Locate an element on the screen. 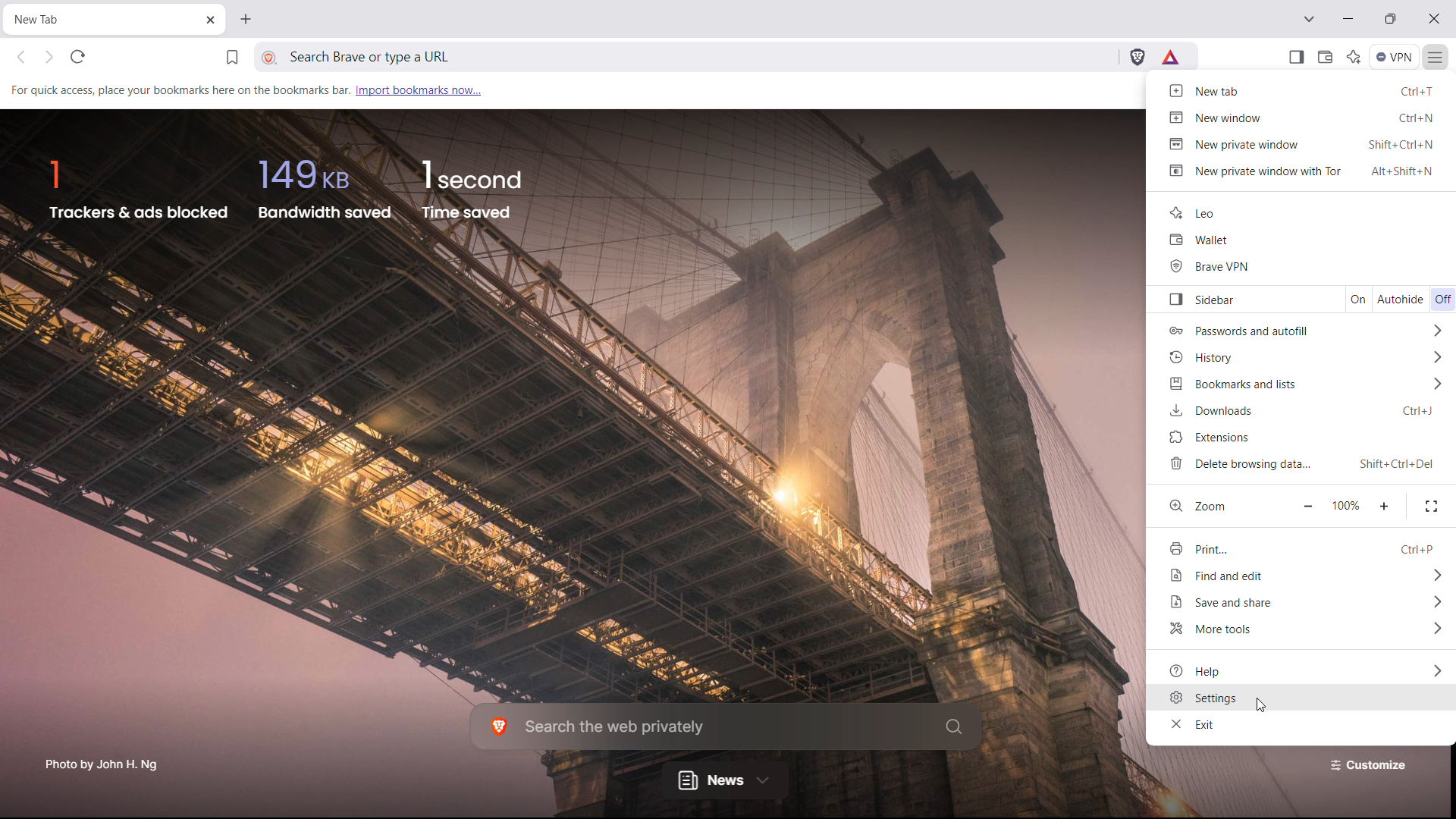  + is located at coordinates (1384, 505).